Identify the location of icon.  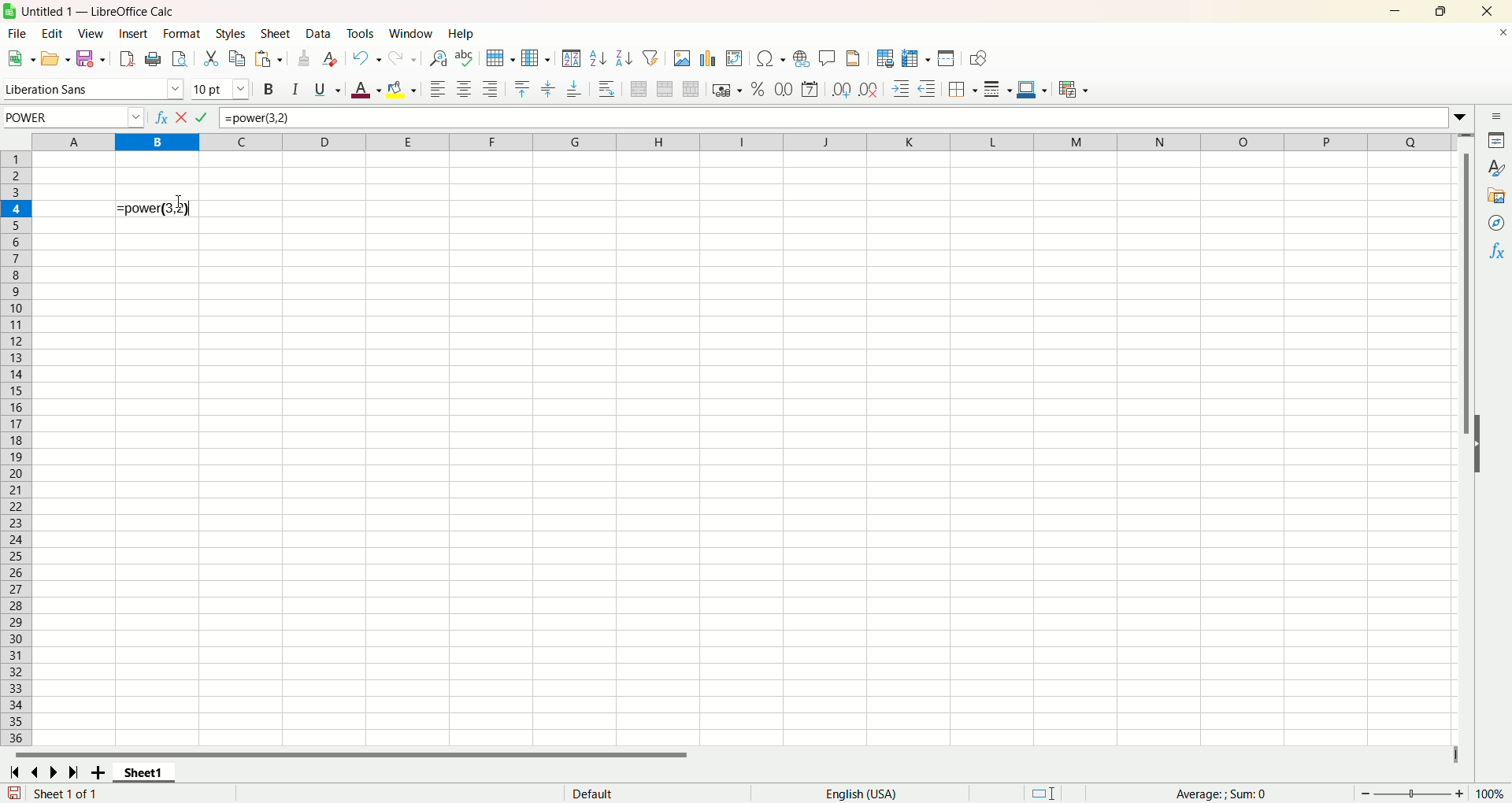
(13, 13).